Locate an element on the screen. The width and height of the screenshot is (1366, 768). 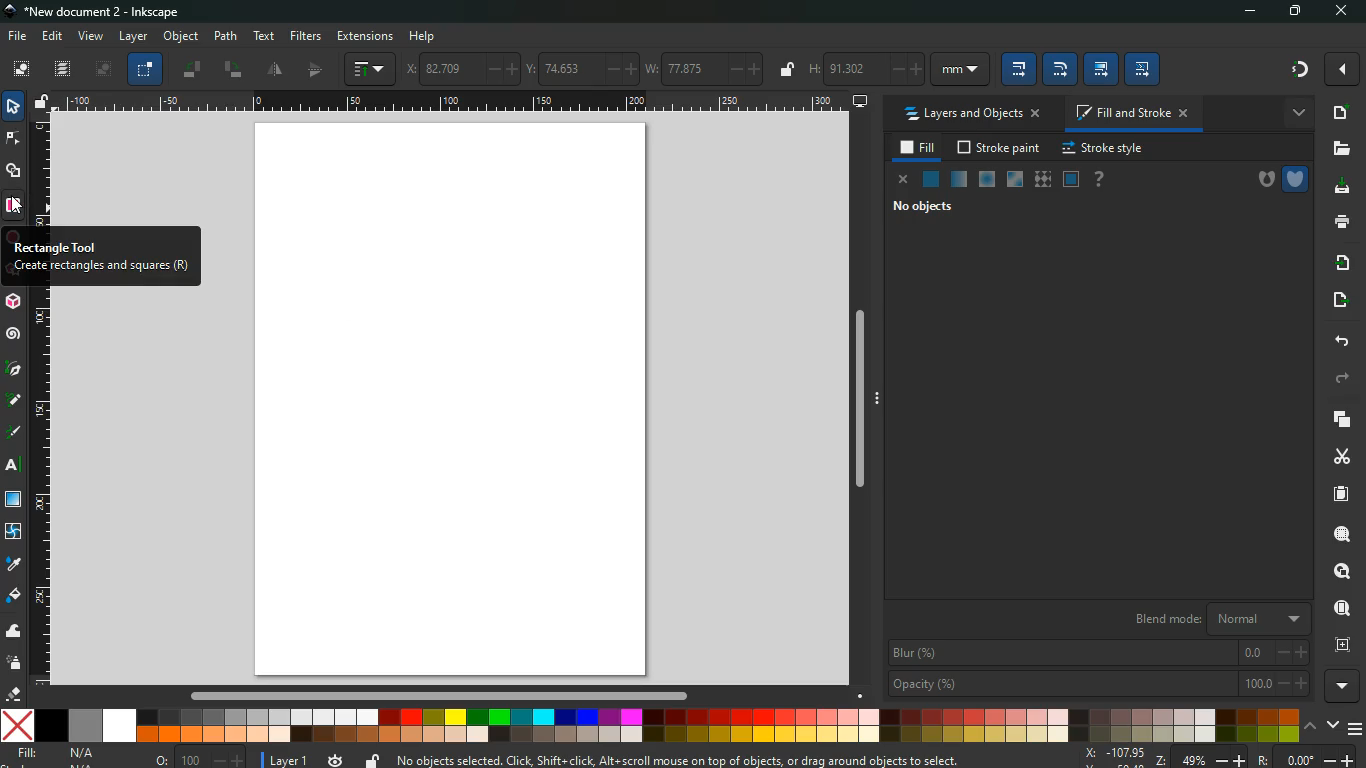
half is located at coordinates (275, 70).